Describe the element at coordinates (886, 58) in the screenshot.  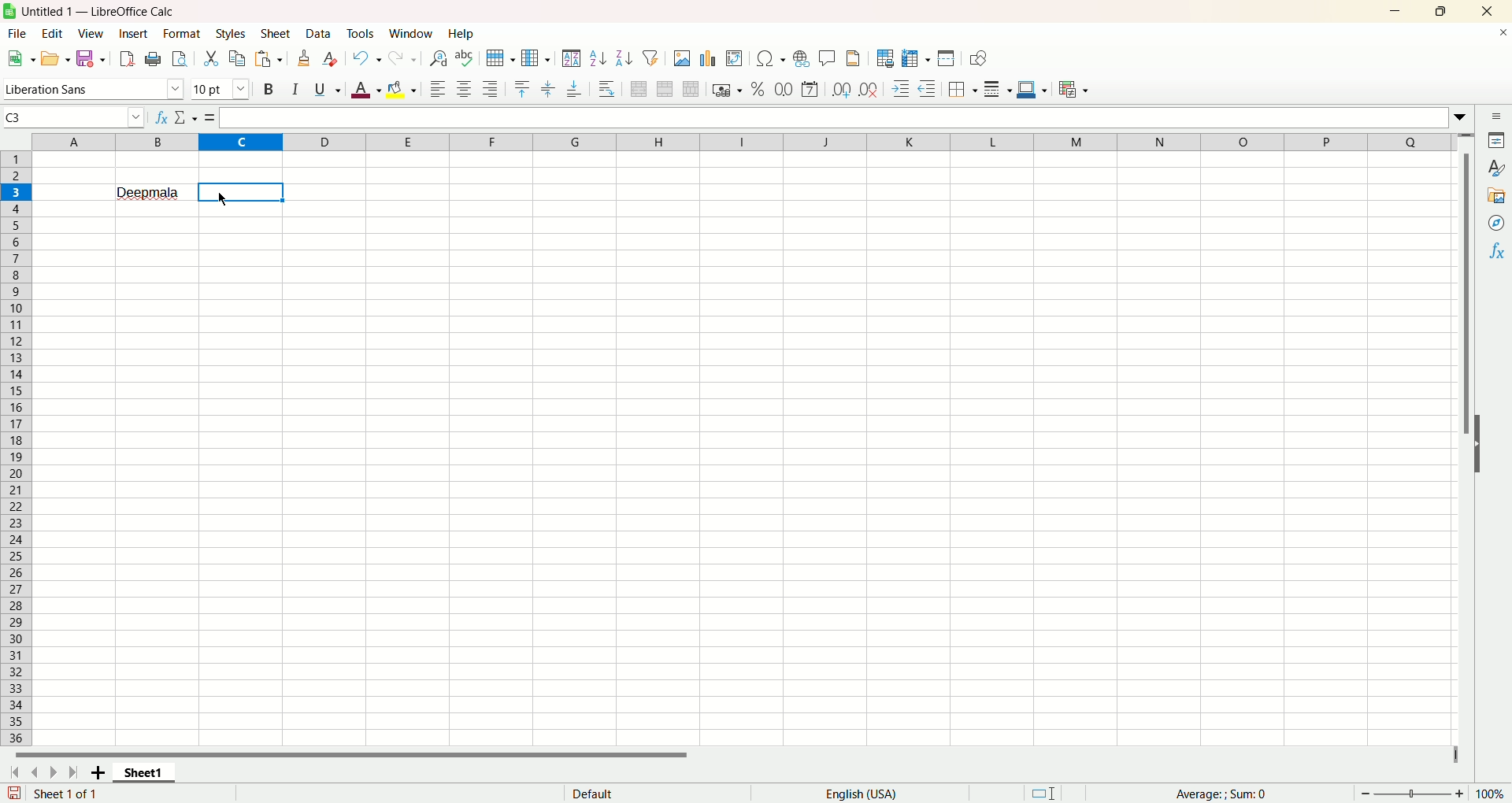
I see `Define print area` at that location.